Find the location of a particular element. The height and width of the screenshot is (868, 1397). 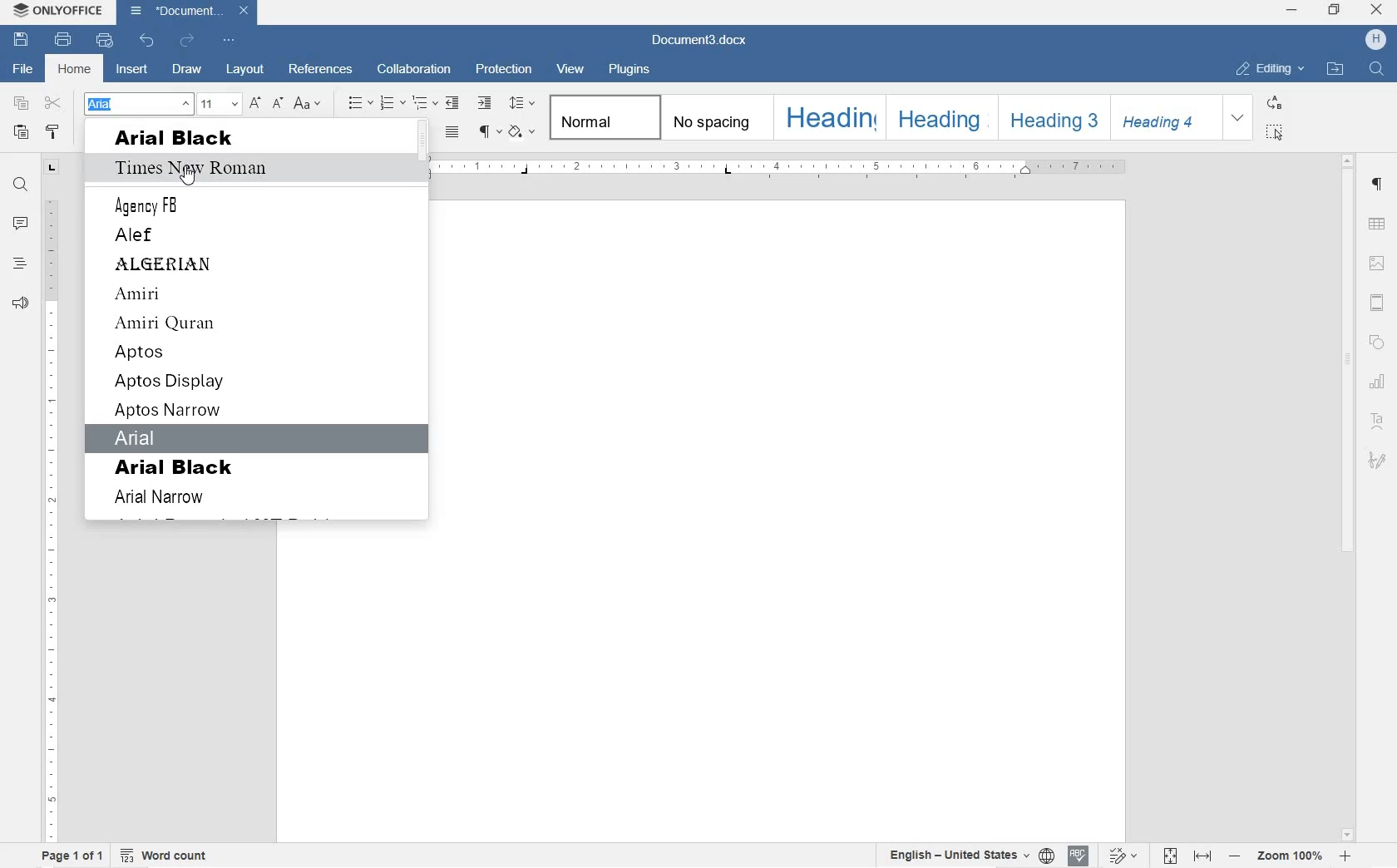

arial black is located at coordinates (184, 138).